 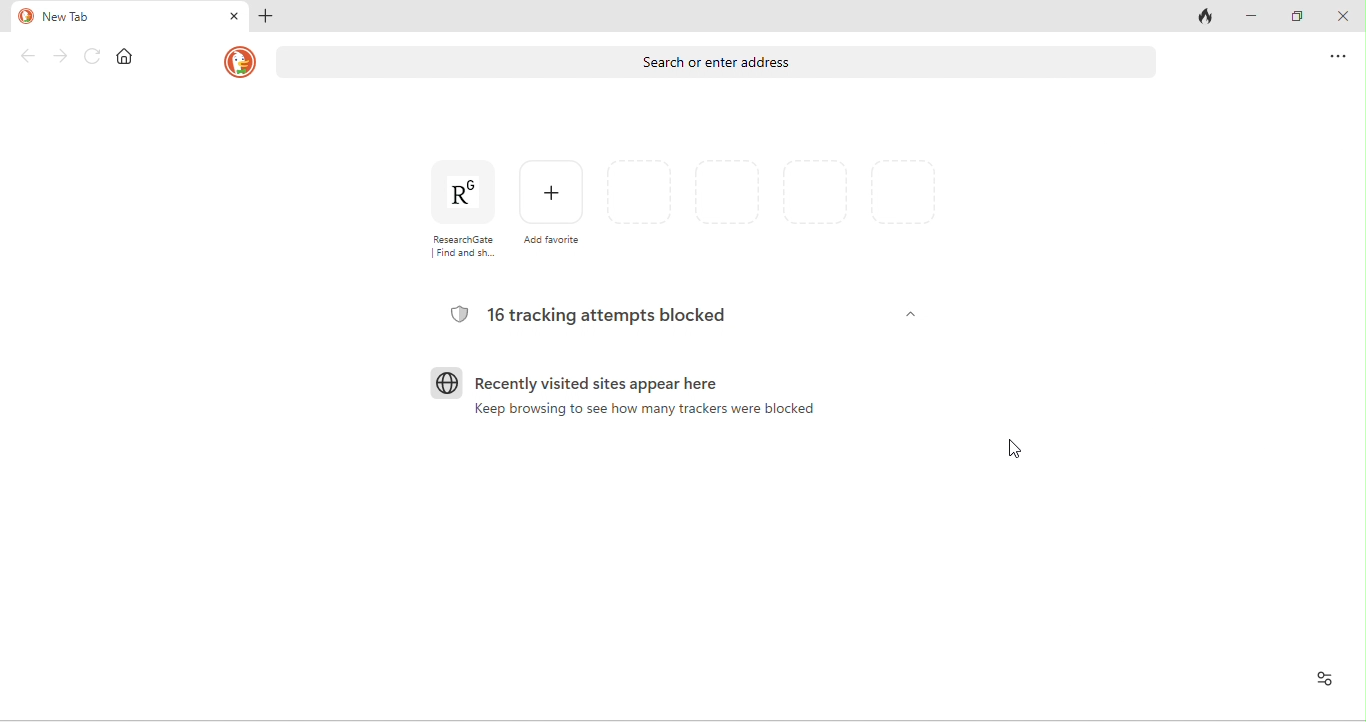 I want to click on close, so click(x=1342, y=19).